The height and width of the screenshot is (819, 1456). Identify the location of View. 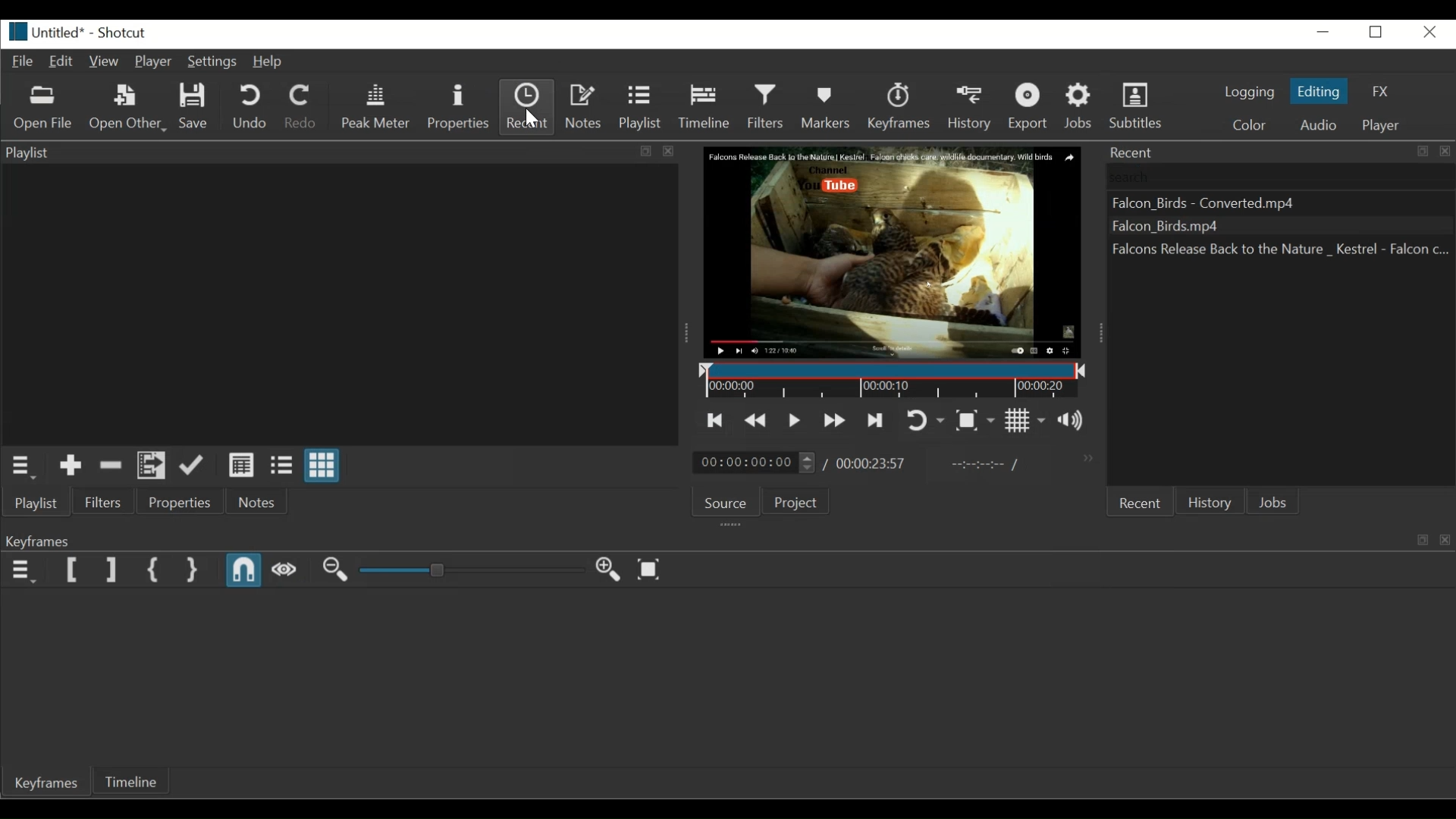
(103, 61).